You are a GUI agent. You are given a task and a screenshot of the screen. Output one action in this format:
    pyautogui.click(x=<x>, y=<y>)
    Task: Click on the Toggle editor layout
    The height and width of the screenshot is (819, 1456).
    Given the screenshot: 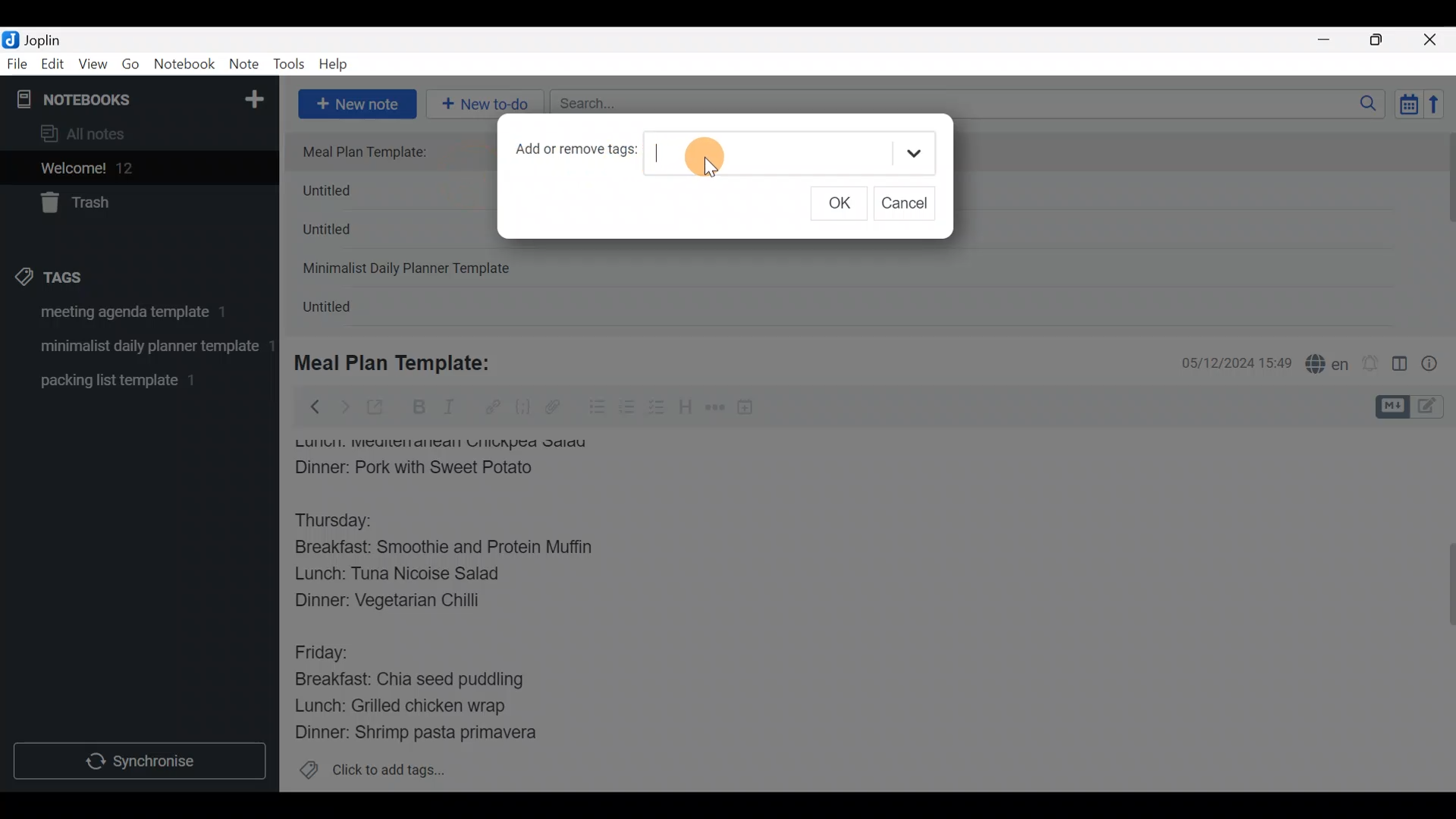 What is the action you would take?
    pyautogui.click(x=1401, y=366)
    